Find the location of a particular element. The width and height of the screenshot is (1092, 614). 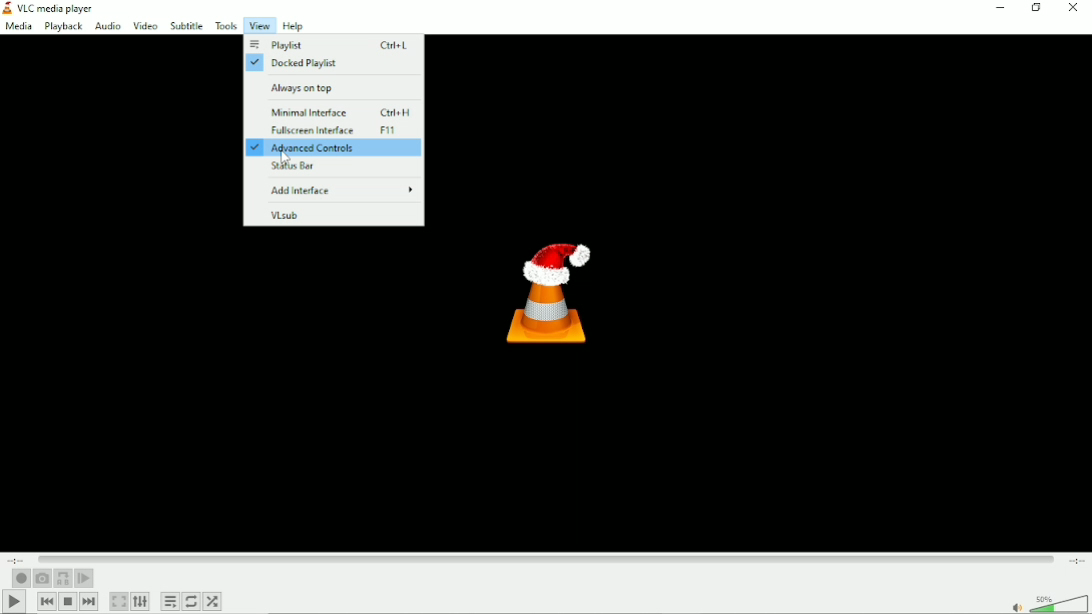

Restore down is located at coordinates (1038, 9).